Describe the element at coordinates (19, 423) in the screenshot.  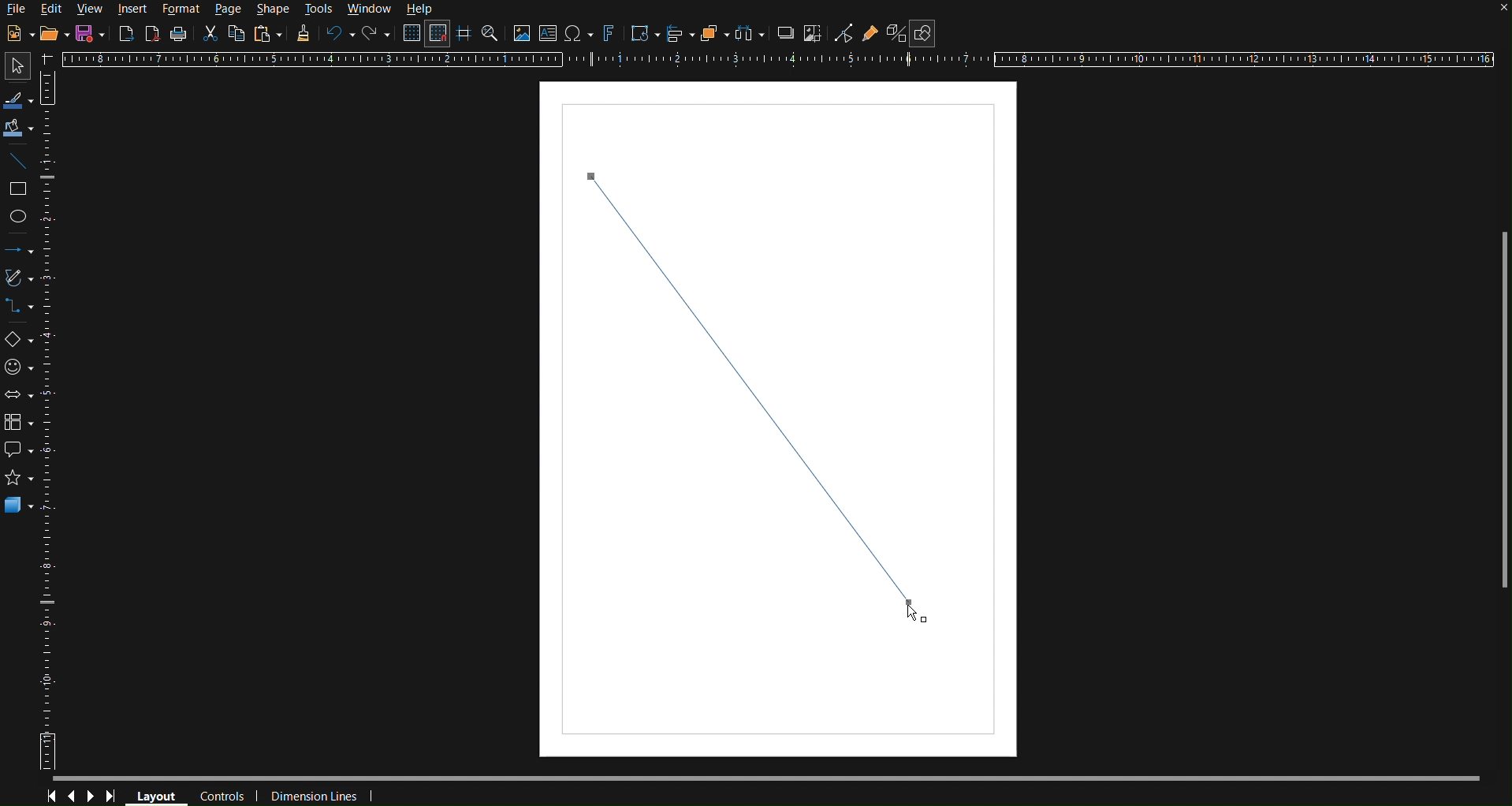
I see `Flowcharts` at that location.